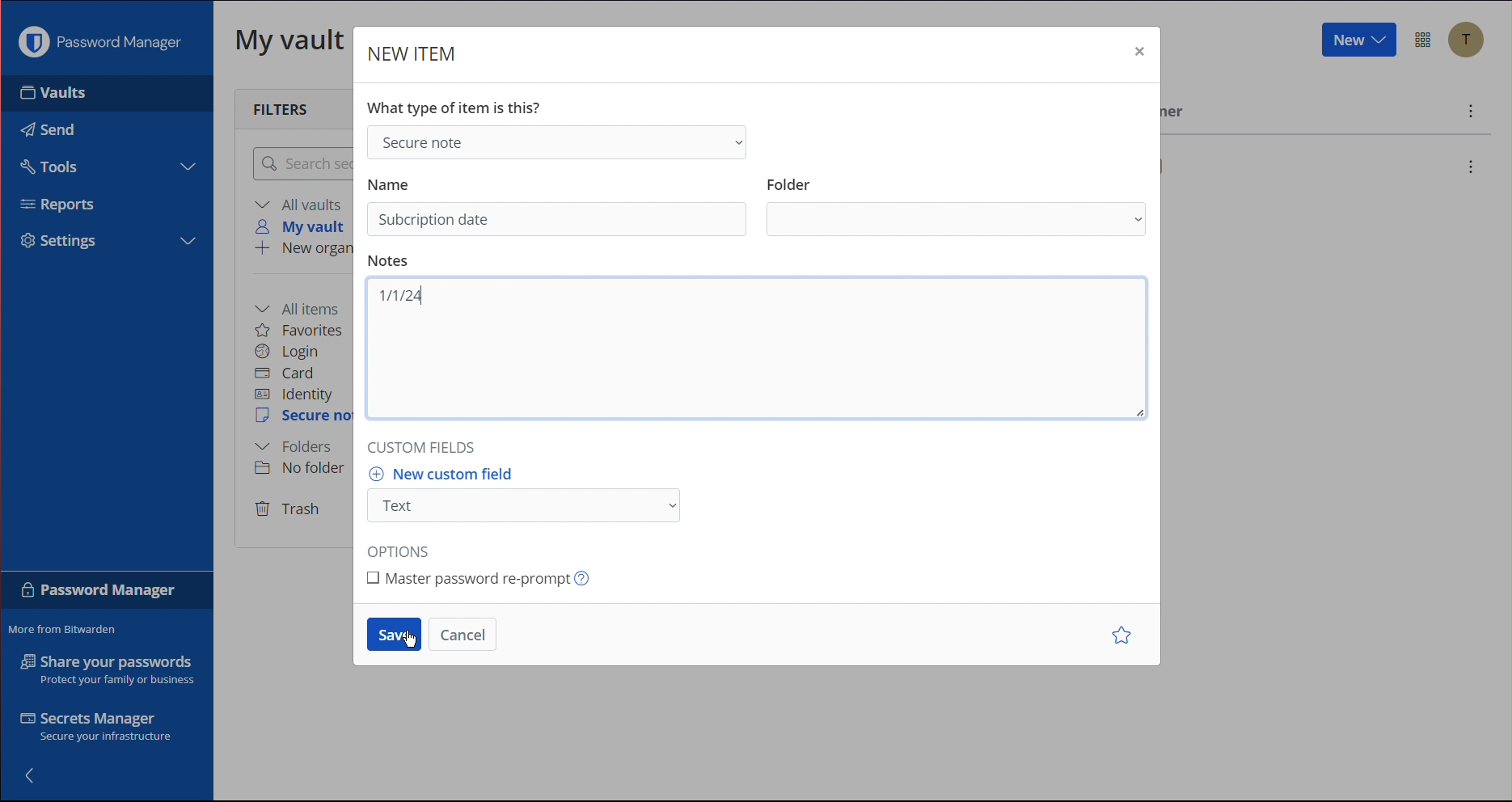 This screenshot has height=802, width=1512. Describe the element at coordinates (790, 179) in the screenshot. I see `Folder` at that location.